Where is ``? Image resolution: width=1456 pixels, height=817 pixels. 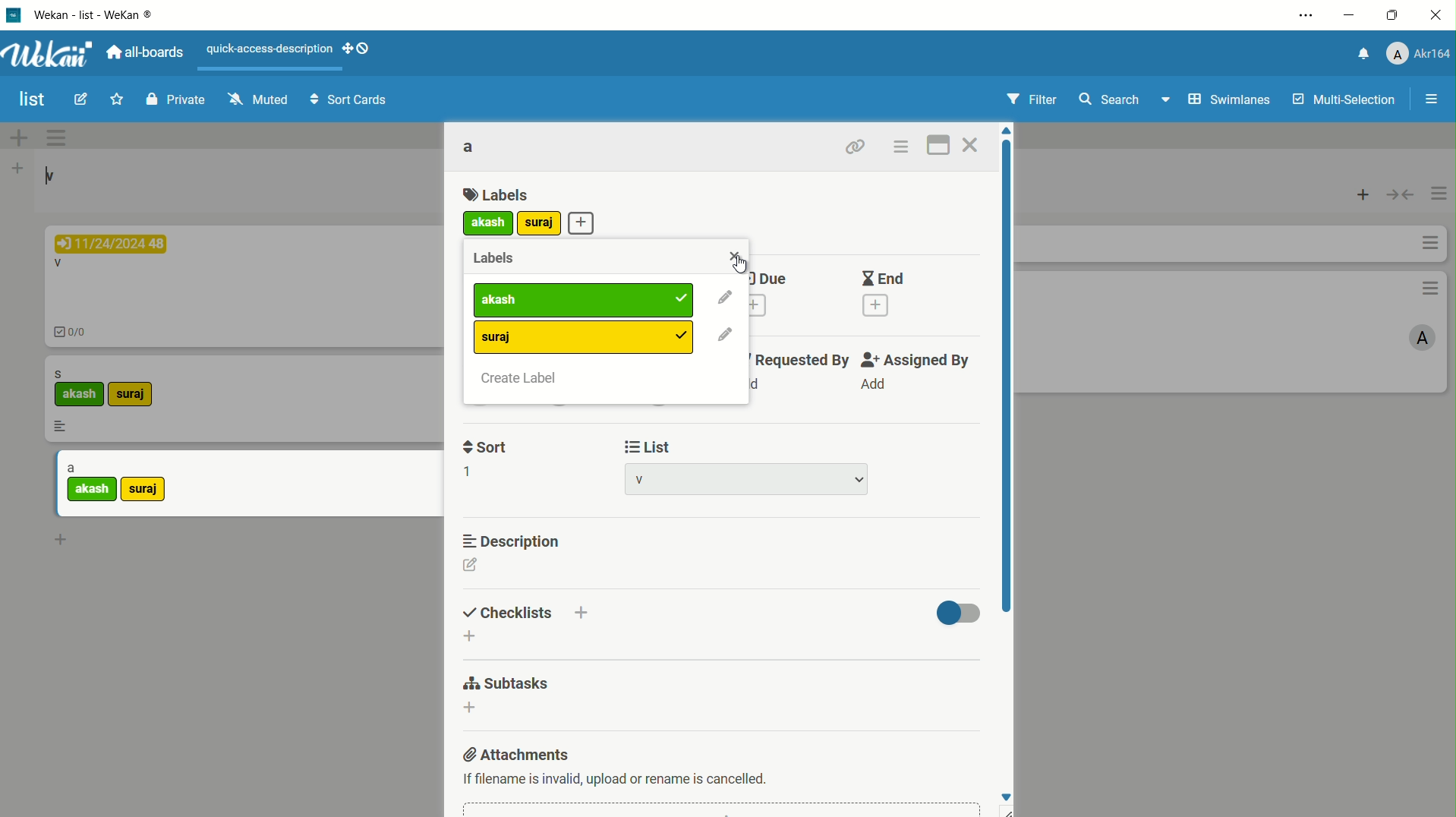  is located at coordinates (468, 470).